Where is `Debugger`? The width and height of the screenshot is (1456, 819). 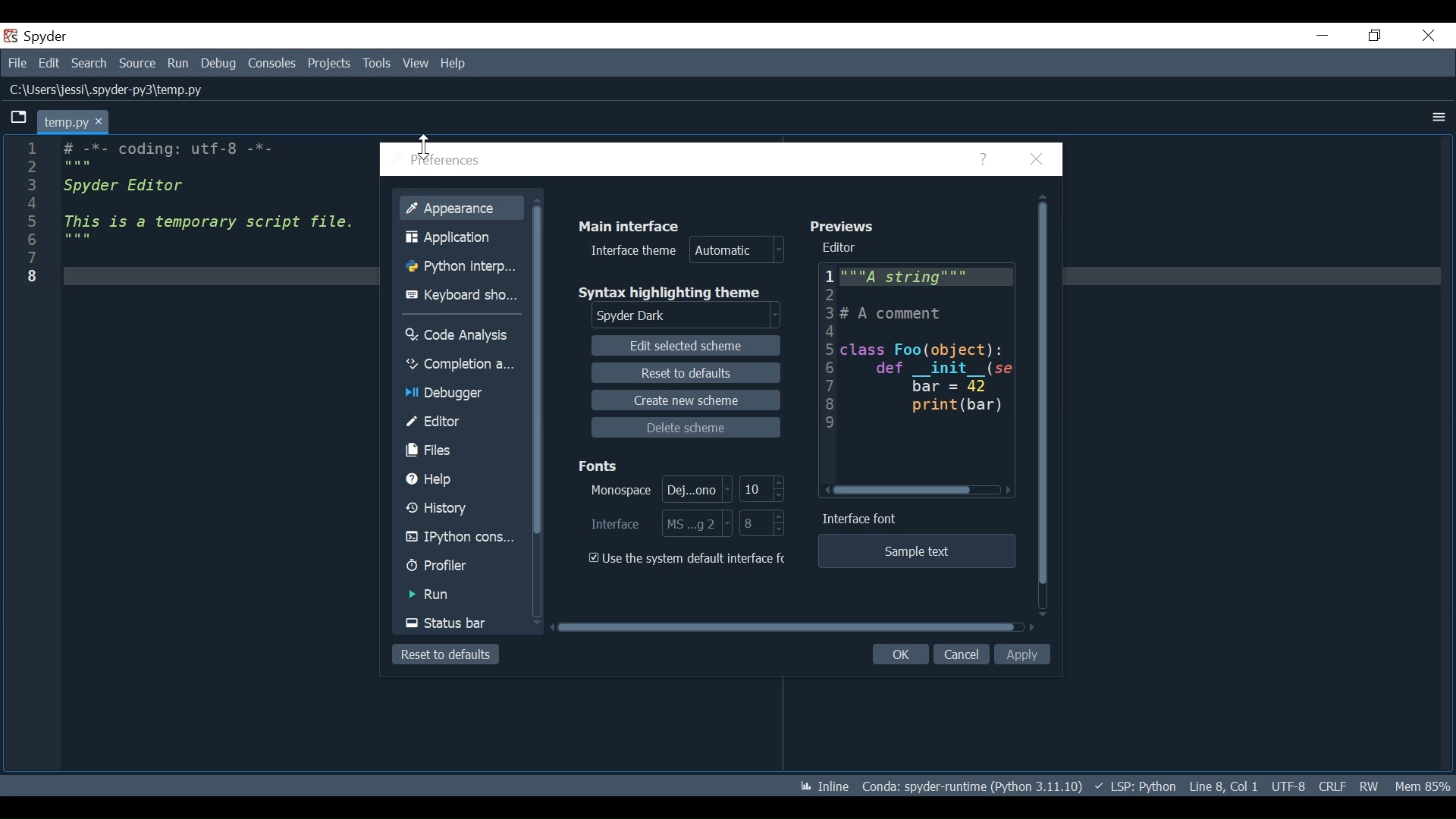
Debugger is located at coordinates (460, 392).